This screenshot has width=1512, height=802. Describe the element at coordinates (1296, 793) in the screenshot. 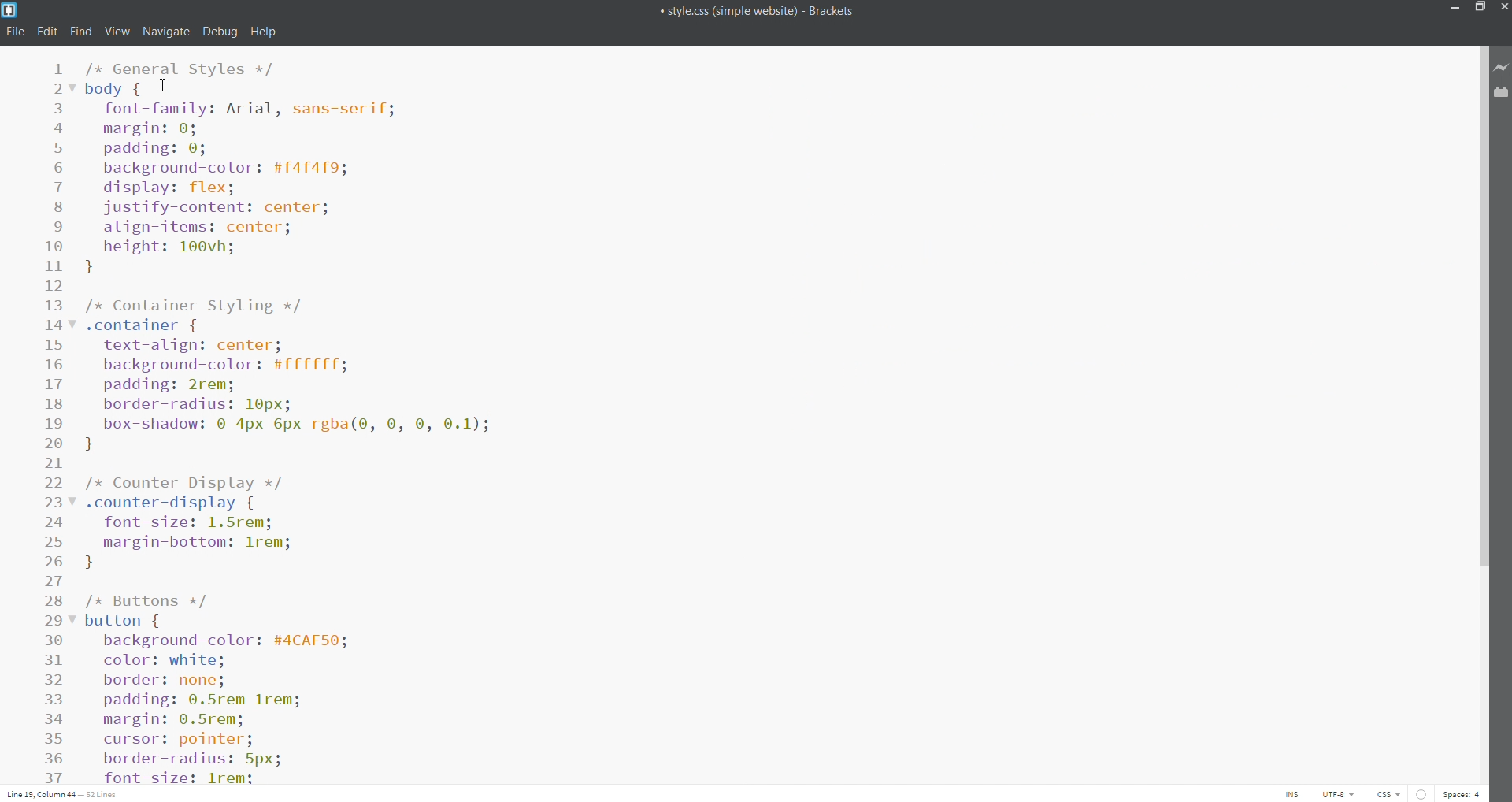

I see `toggle cursor` at that location.